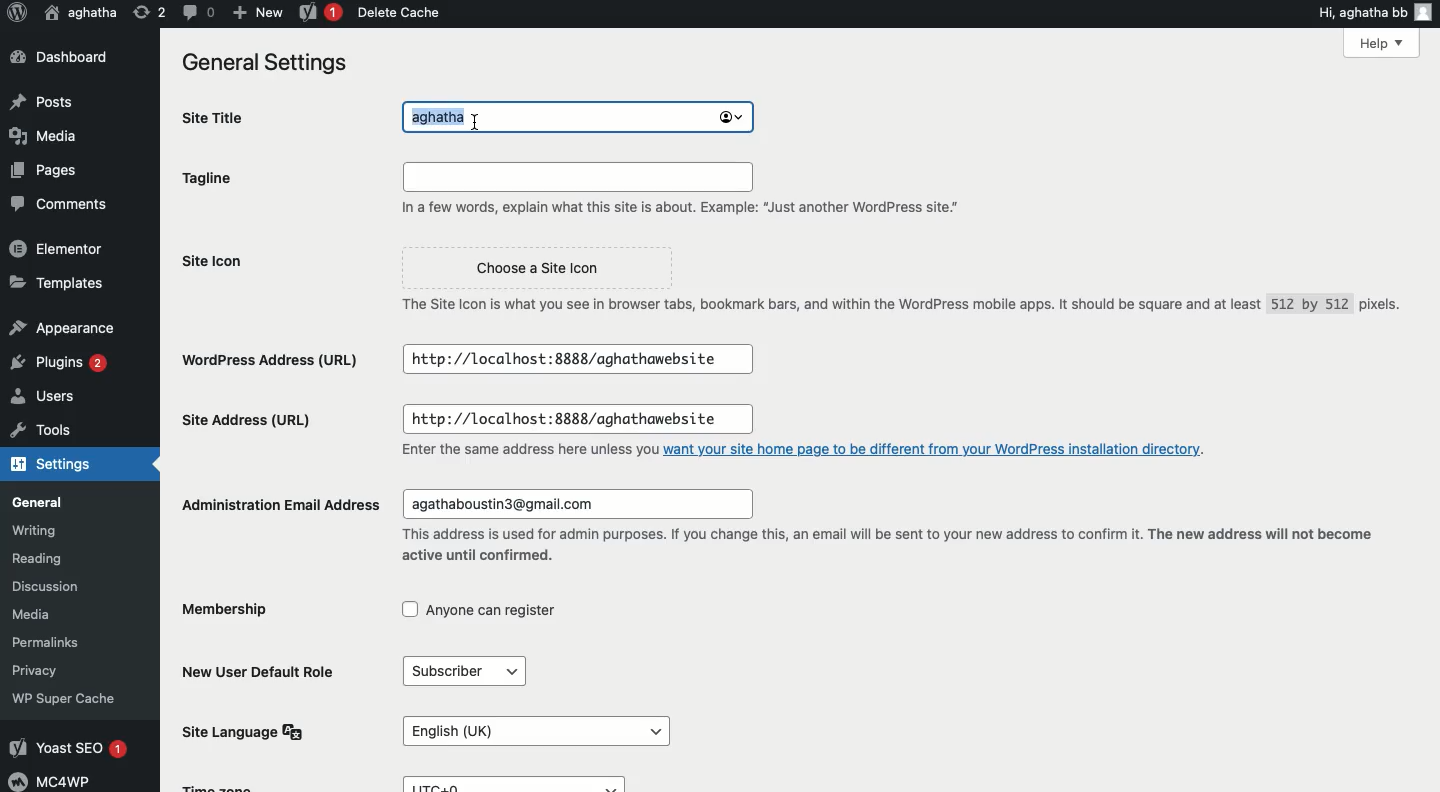  Describe the element at coordinates (33, 532) in the screenshot. I see `Writing` at that location.